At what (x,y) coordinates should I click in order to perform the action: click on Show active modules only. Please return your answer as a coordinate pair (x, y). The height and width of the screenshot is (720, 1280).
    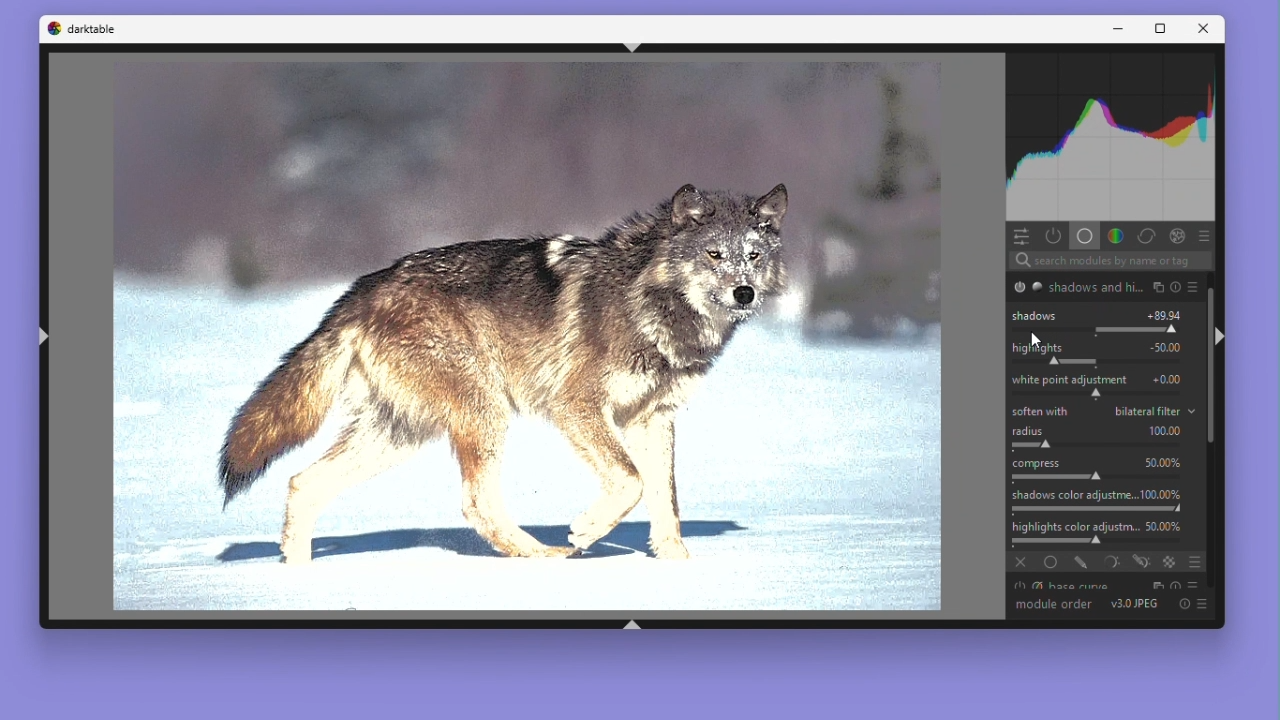
    Looking at the image, I should click on (1053, 235).